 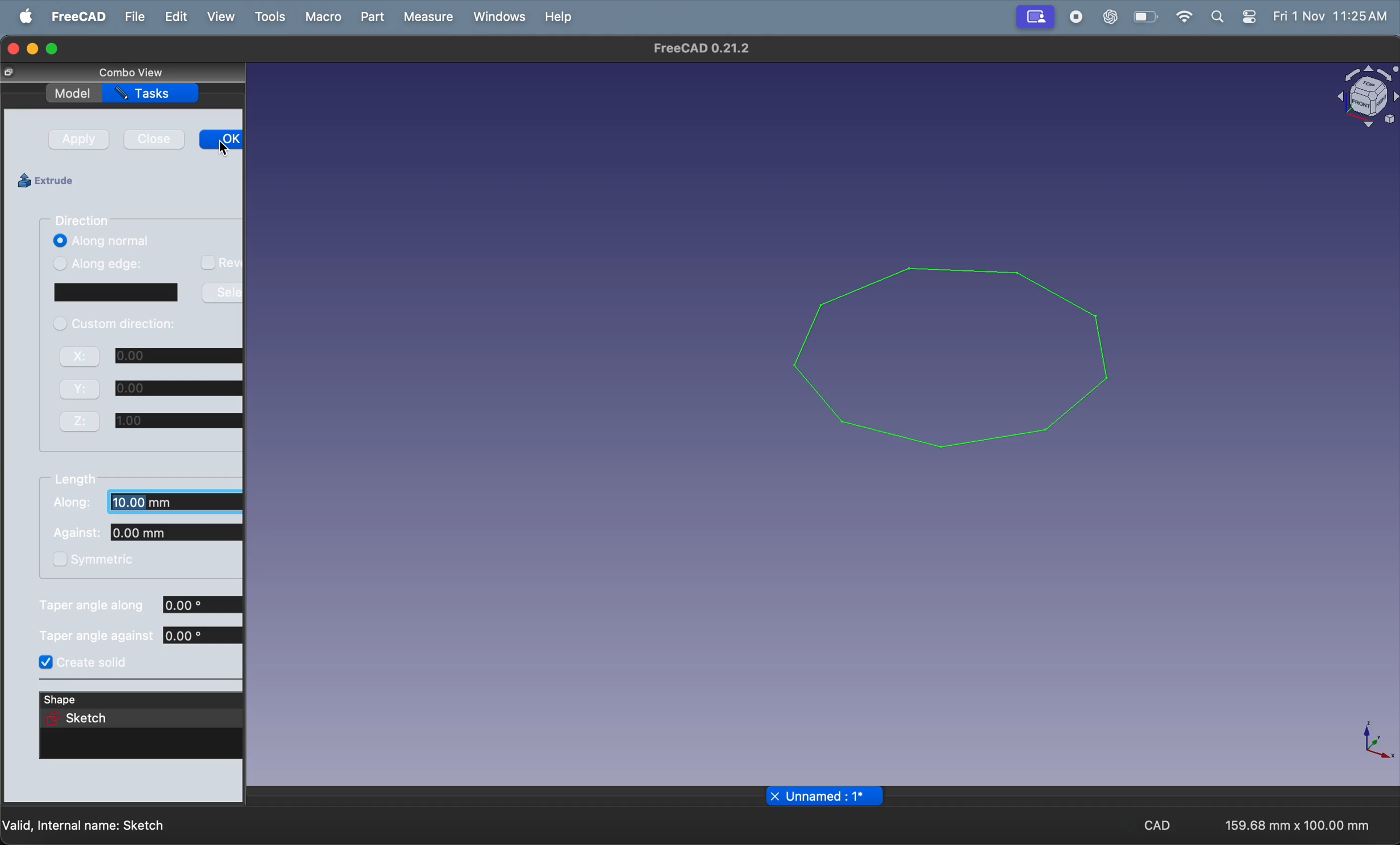 I want to click on 159.68 mm x 100.00 mm, so click(x=1295, y=824).